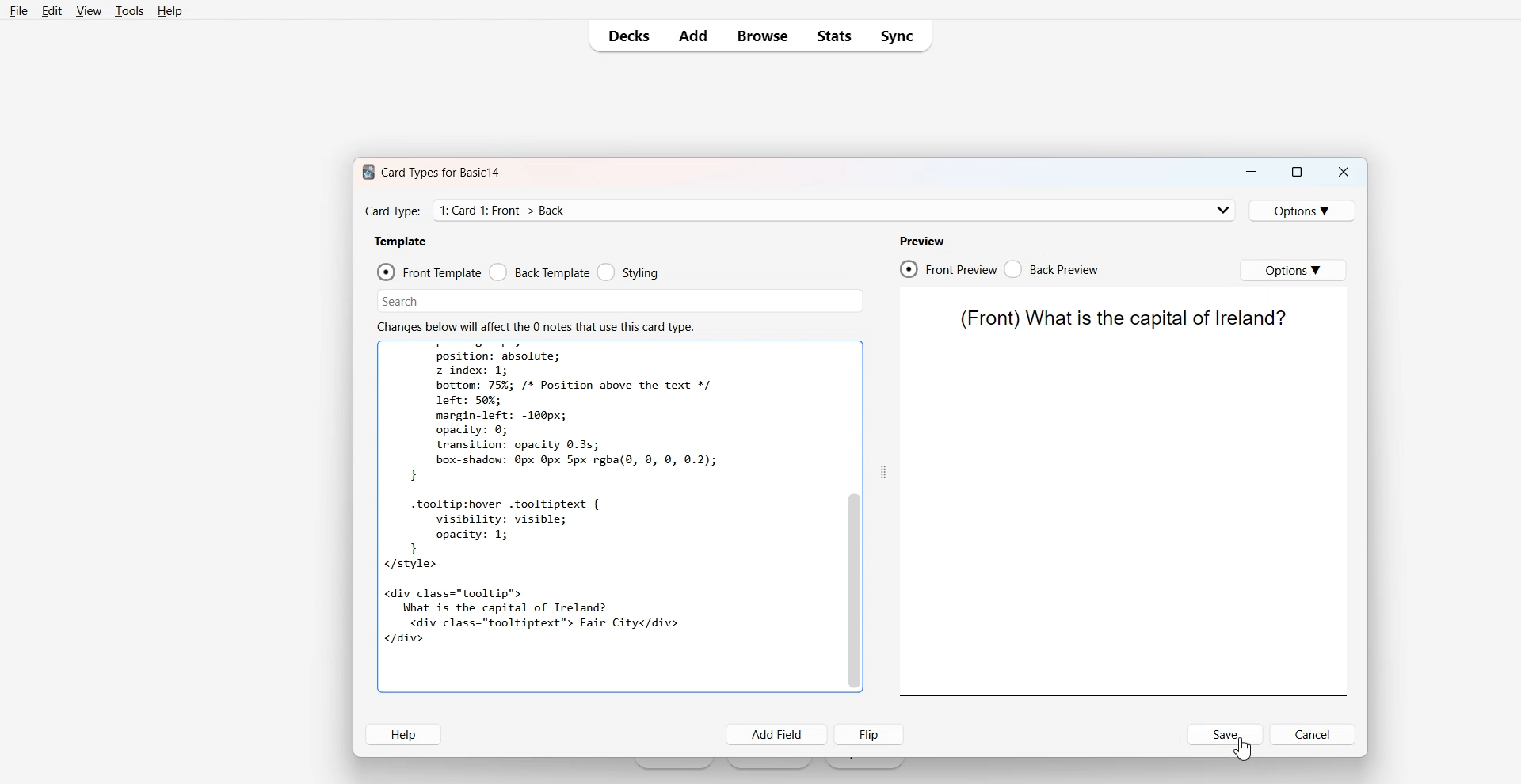 This screenshot has width=1521, height=784. Describe the element at coordinates (429, 272) in the screenshot. I see `Front Template` at that location.